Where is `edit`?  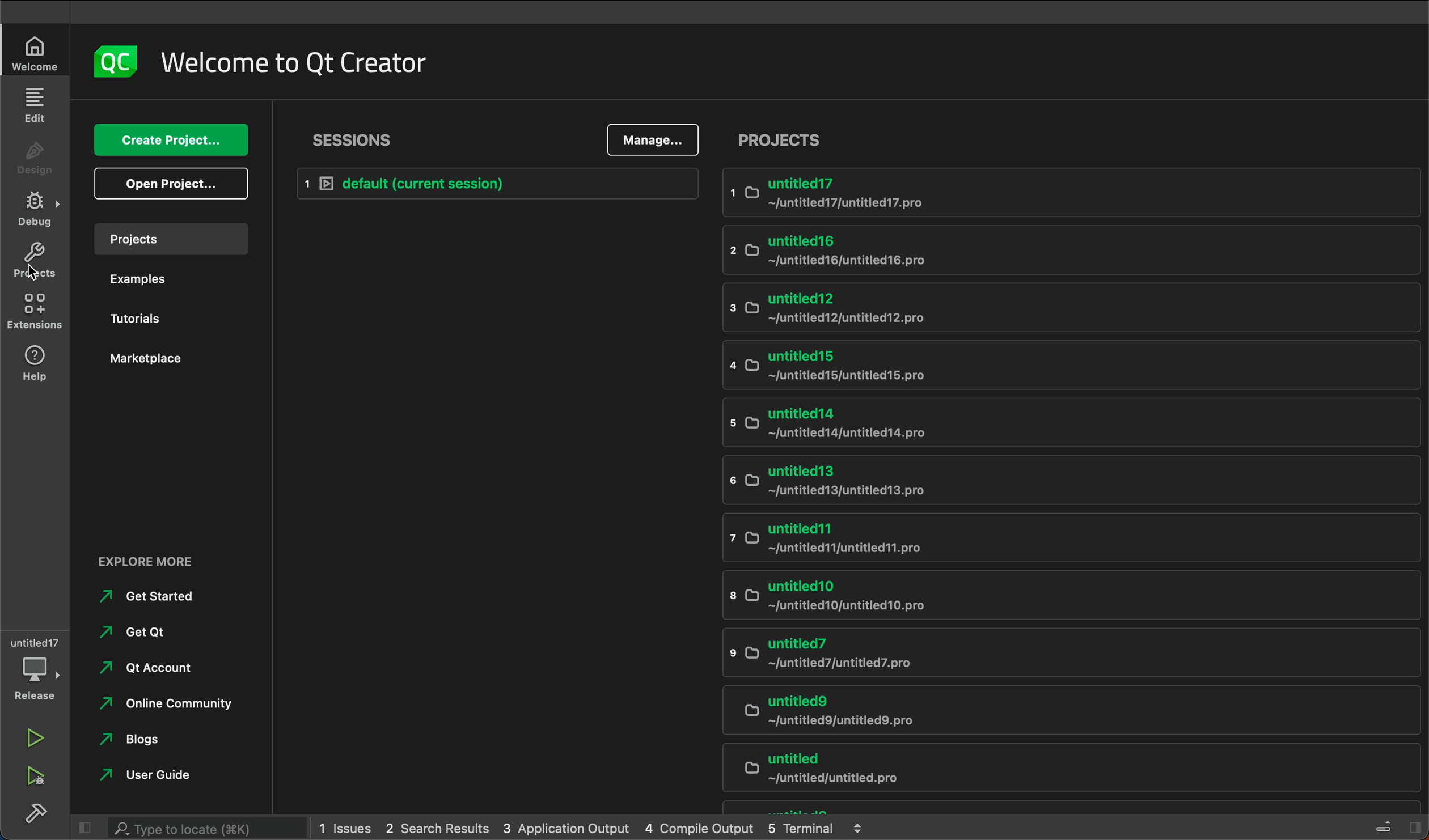 edit is located at coordinates (35, 106).